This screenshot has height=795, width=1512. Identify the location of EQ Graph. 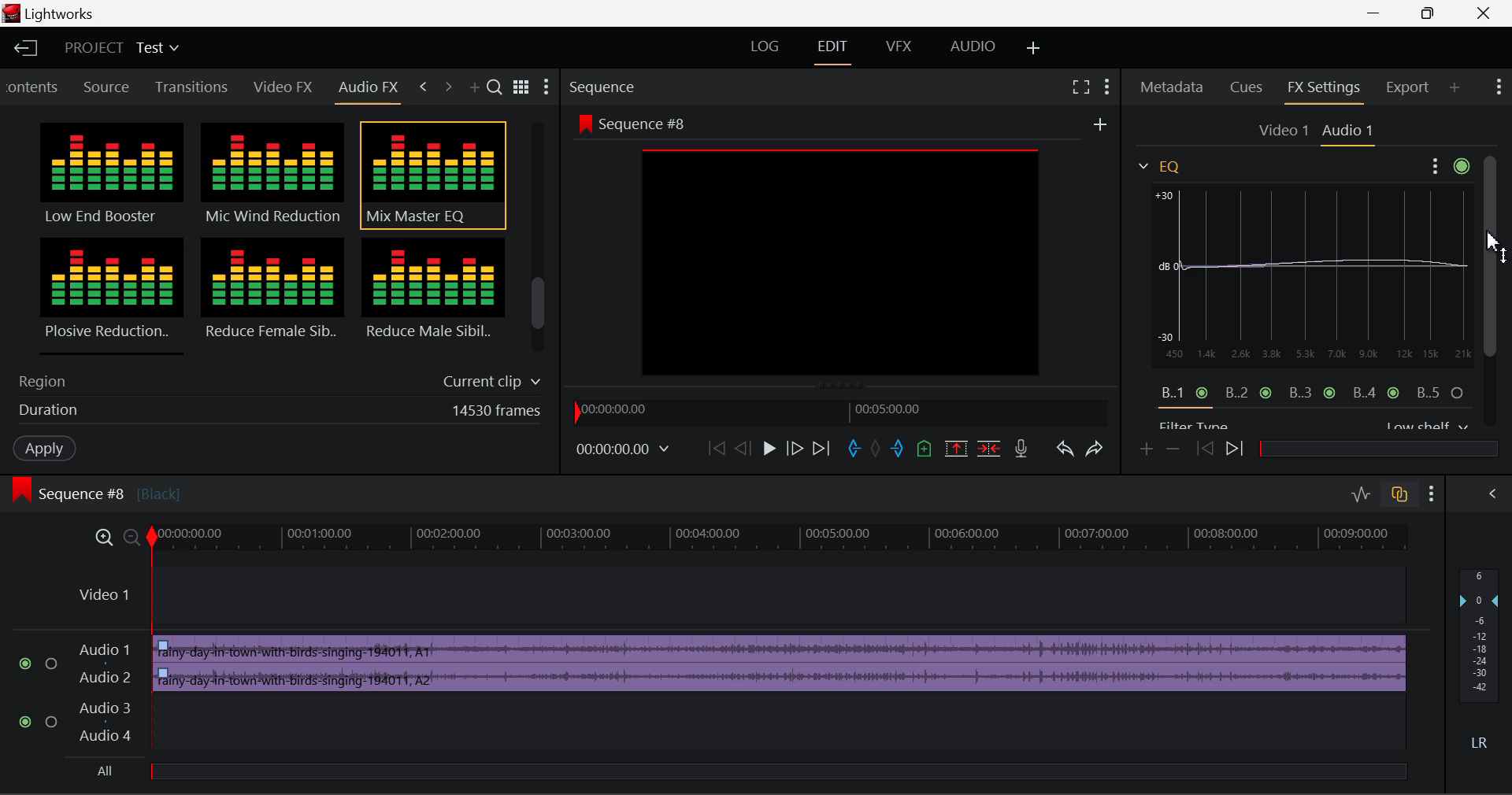
(1303, 276).